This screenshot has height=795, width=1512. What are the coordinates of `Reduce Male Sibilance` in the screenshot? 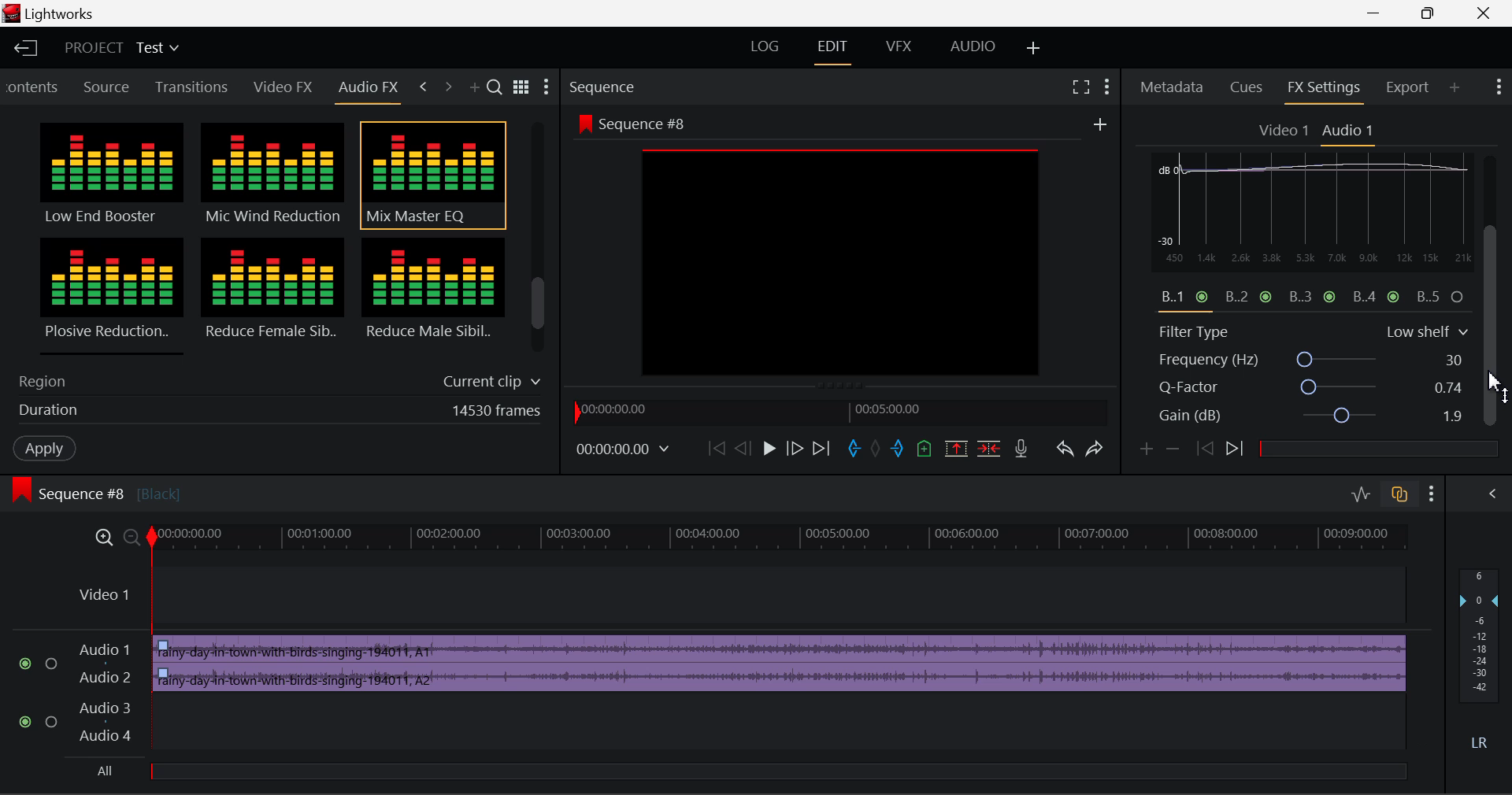 It's located at (432, 294).